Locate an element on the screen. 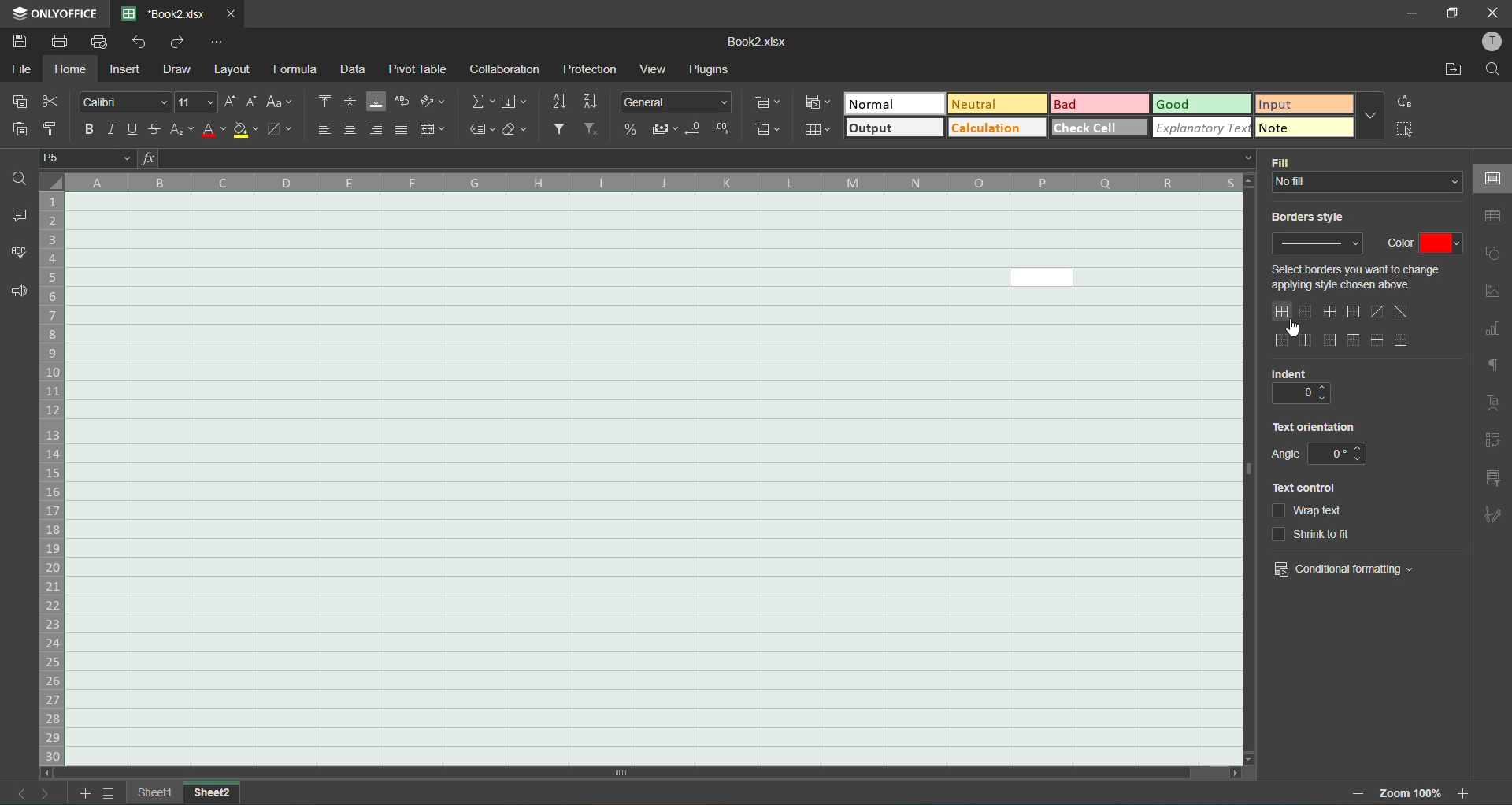 This screenshot has height=805, width=1512. bad is located at coordinates (1102, 104).